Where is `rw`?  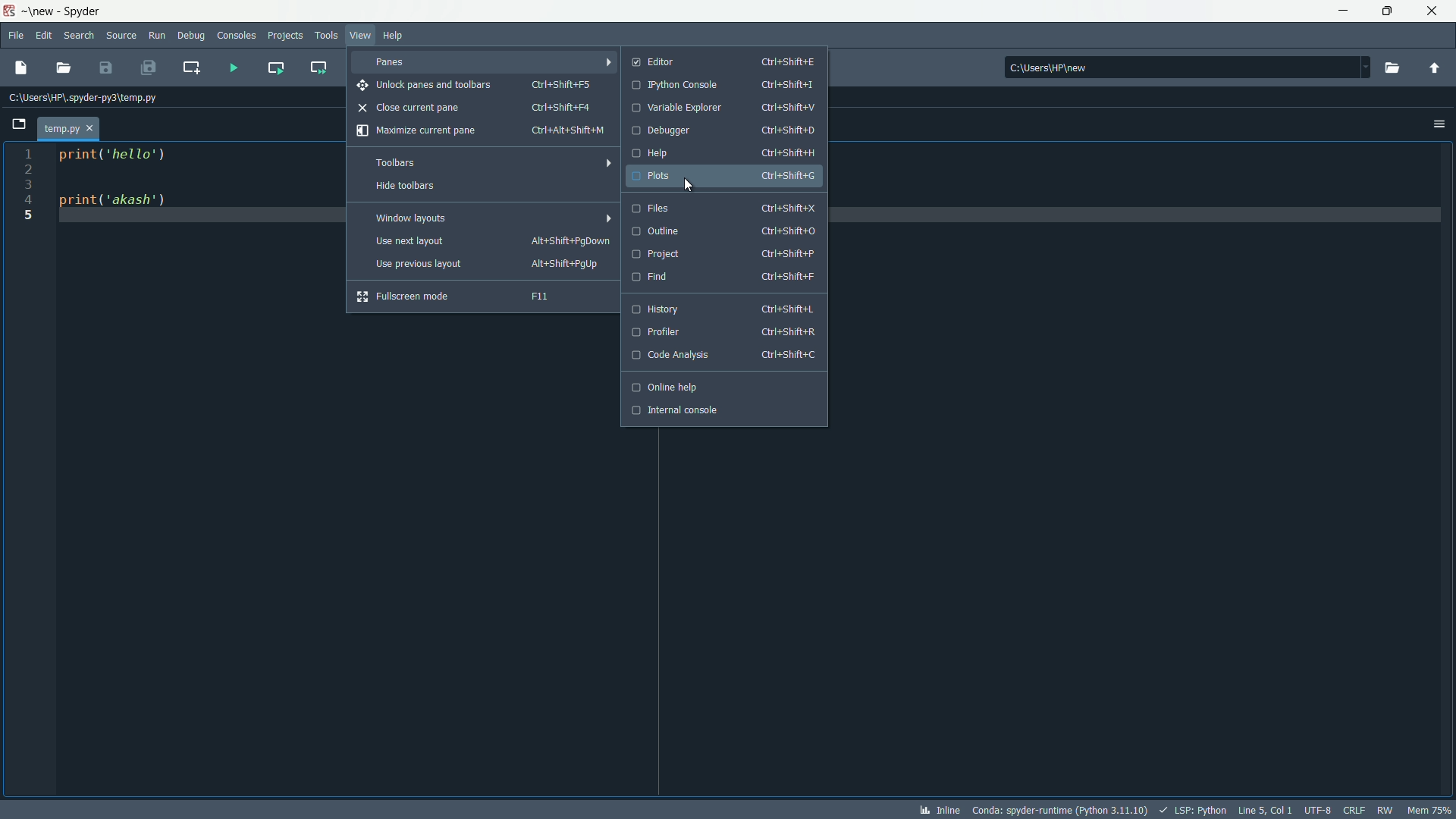 rw is located at coordinates (1385, 810).